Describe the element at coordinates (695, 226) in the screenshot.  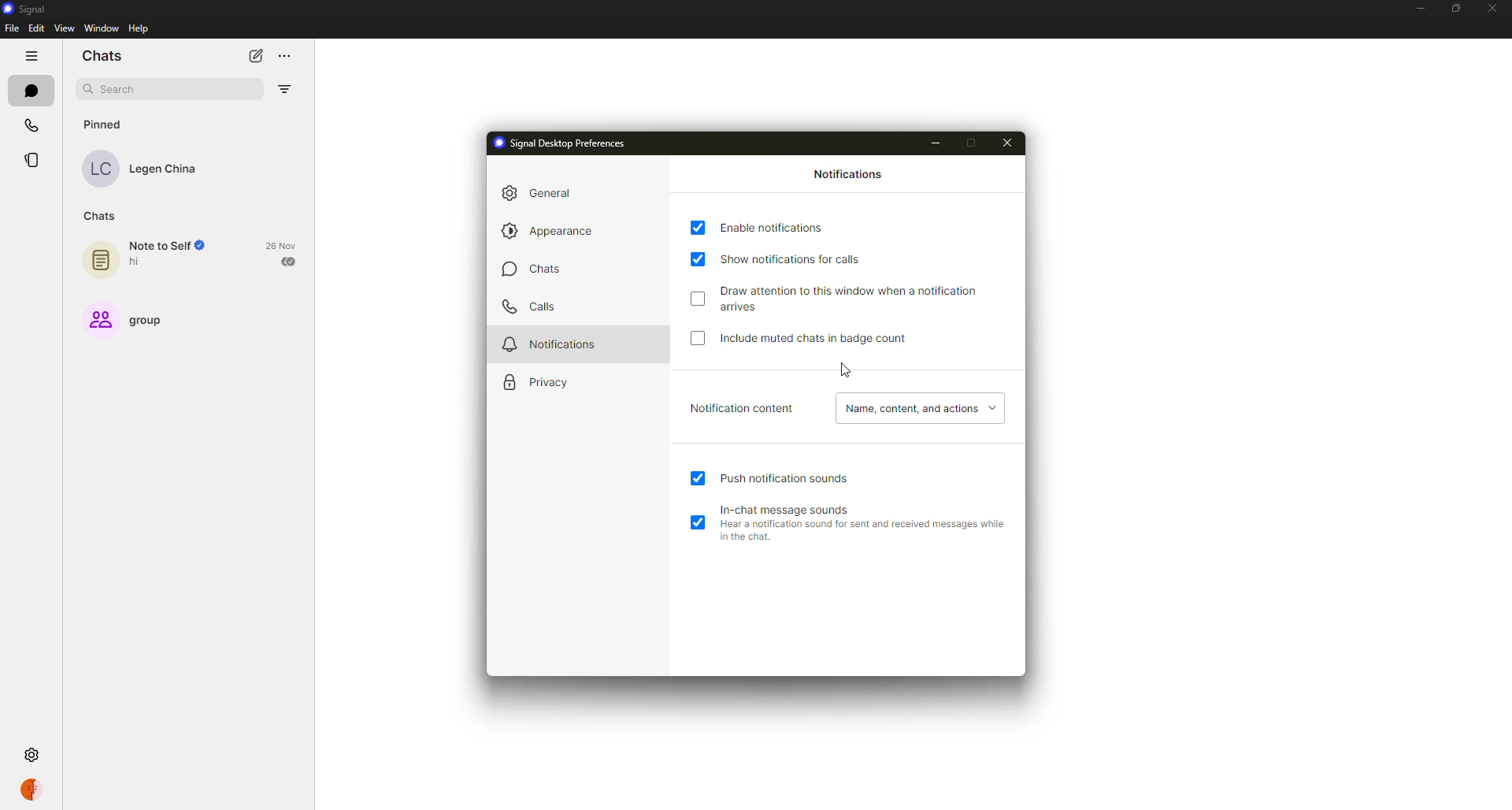
I see `enabled` at that location.